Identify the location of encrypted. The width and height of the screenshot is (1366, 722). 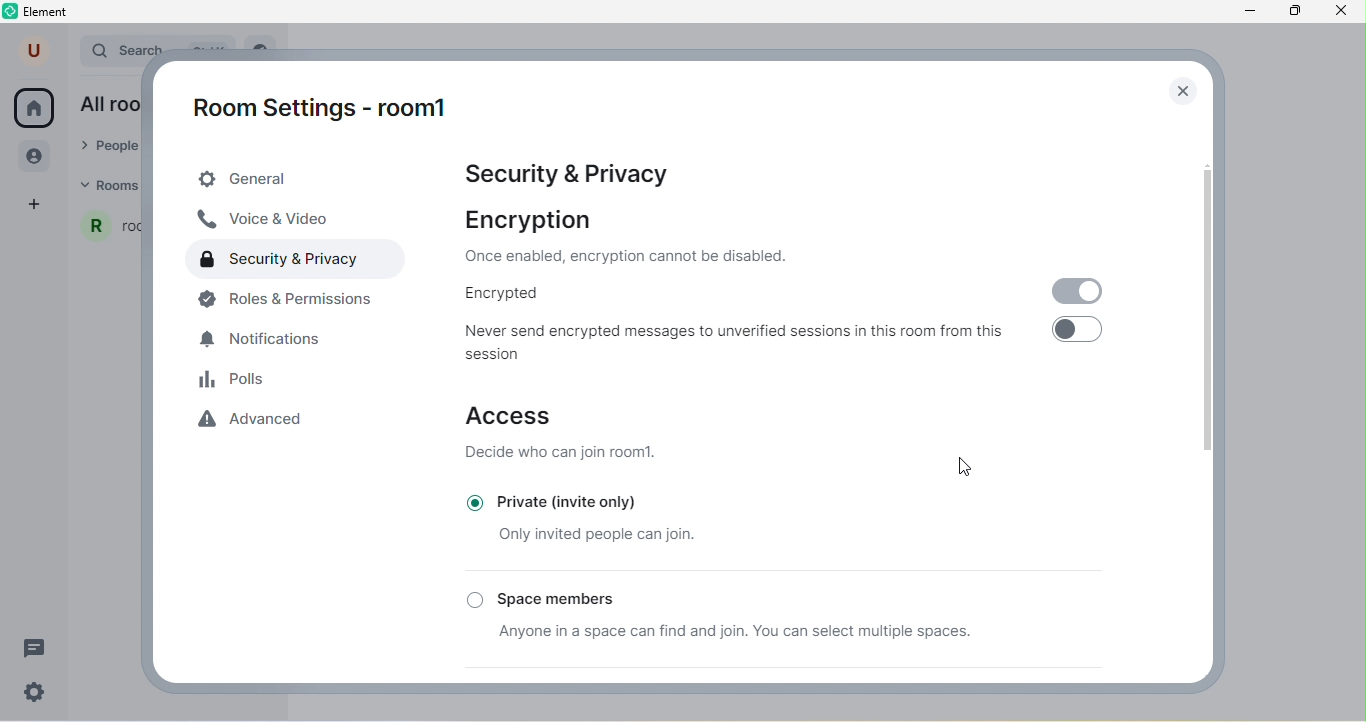
(513, 296).